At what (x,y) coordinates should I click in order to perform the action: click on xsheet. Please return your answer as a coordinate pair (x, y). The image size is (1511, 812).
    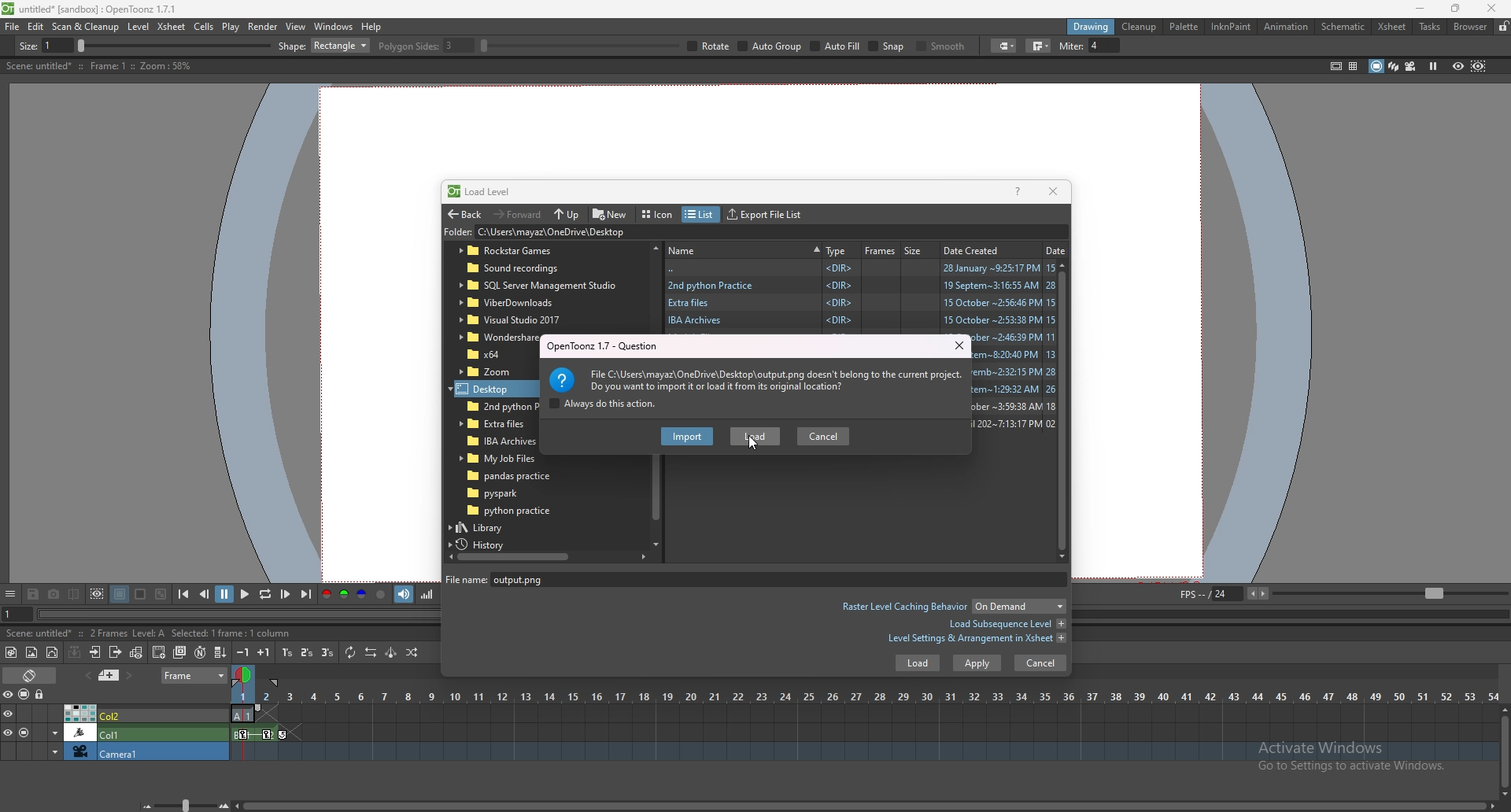
    Looking at the image, I should click on (172, 26).